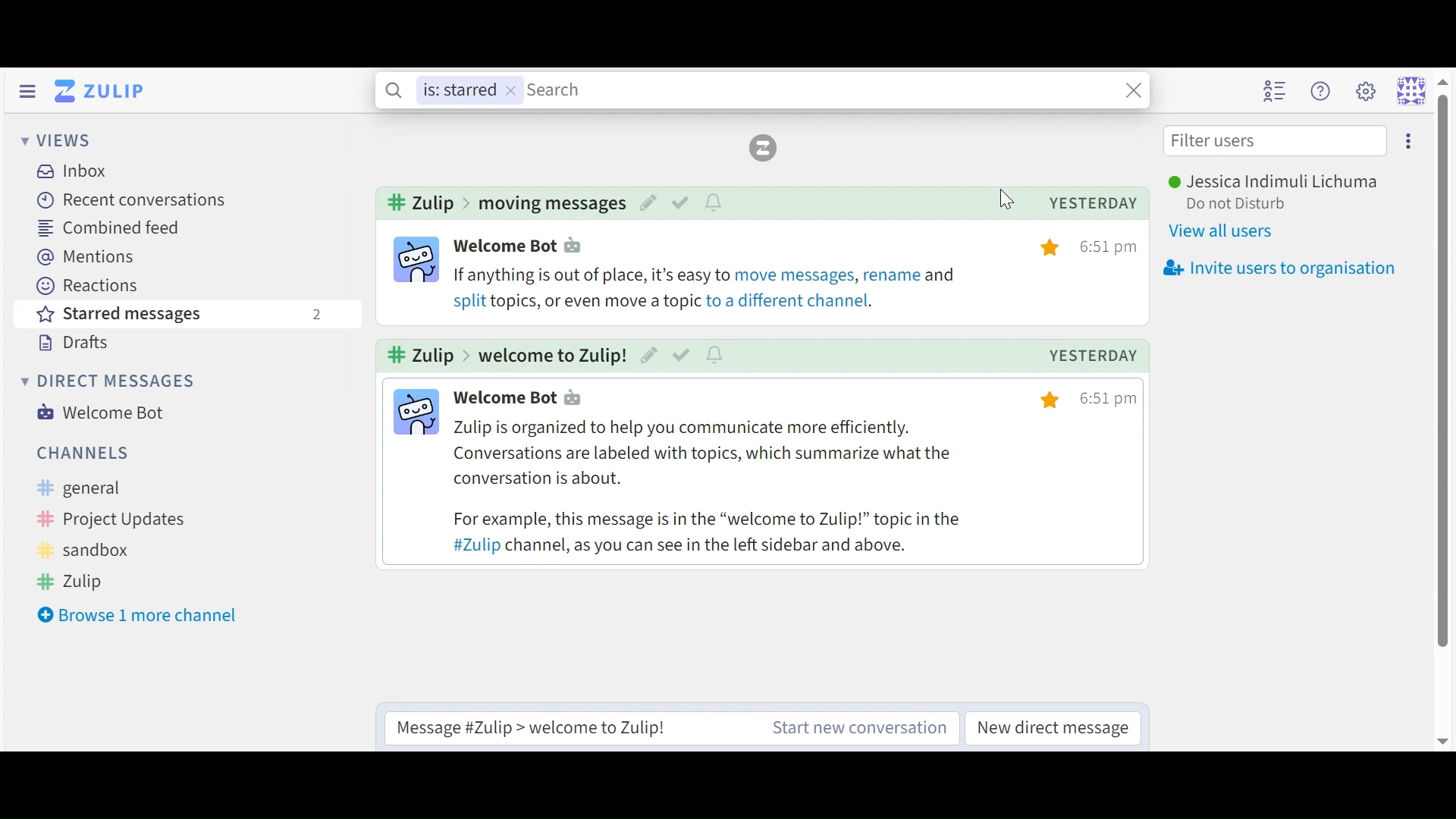 This screenshot has width=1456, height=819. Describe the element at coordinates (680, 202) in the screenshot. I see `mark` at that location.